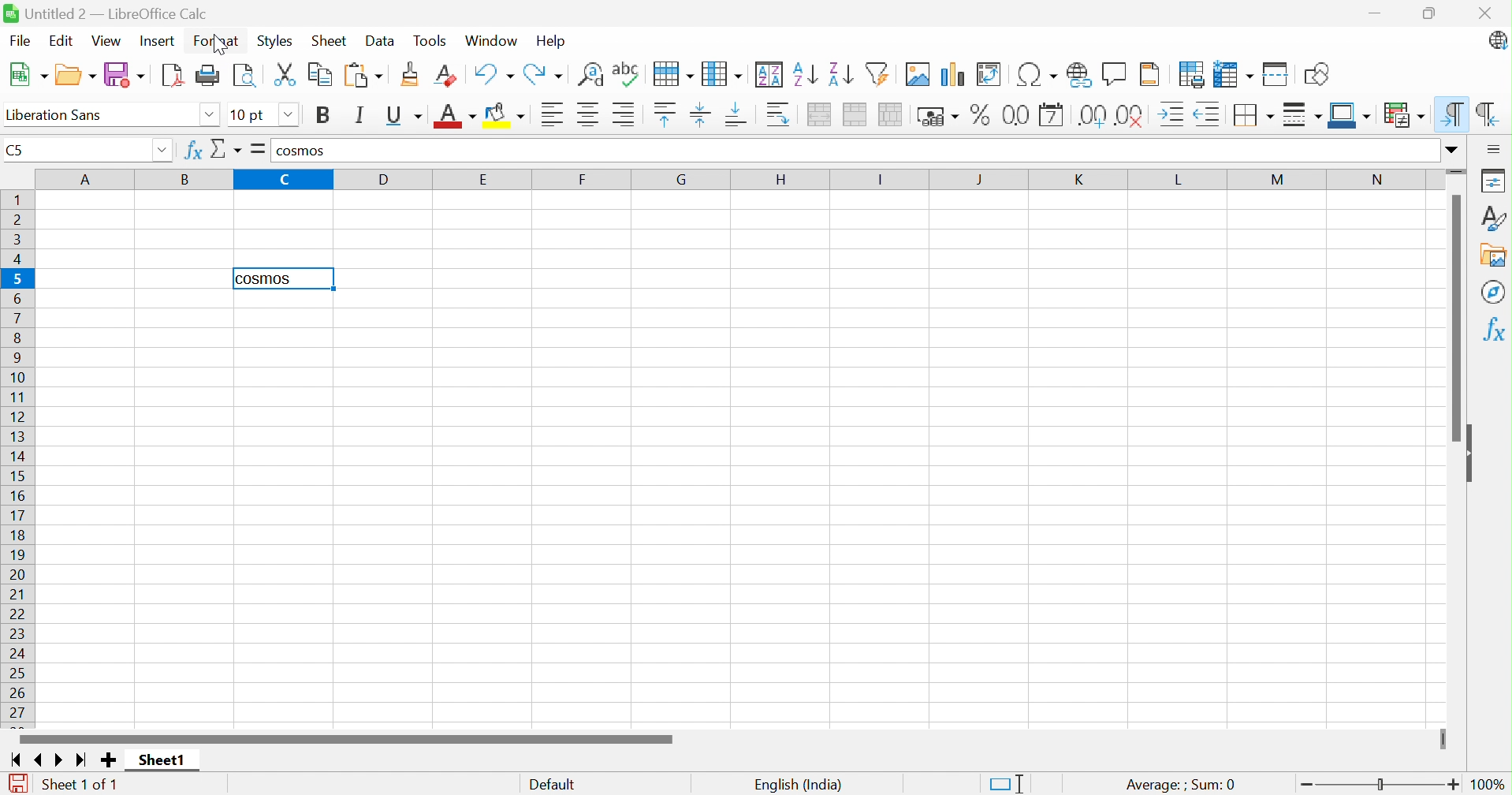 This screenshot has height=795, width=1512. I want to click on Untitled 2 - LibreOffice Calc, so click(107, 14).